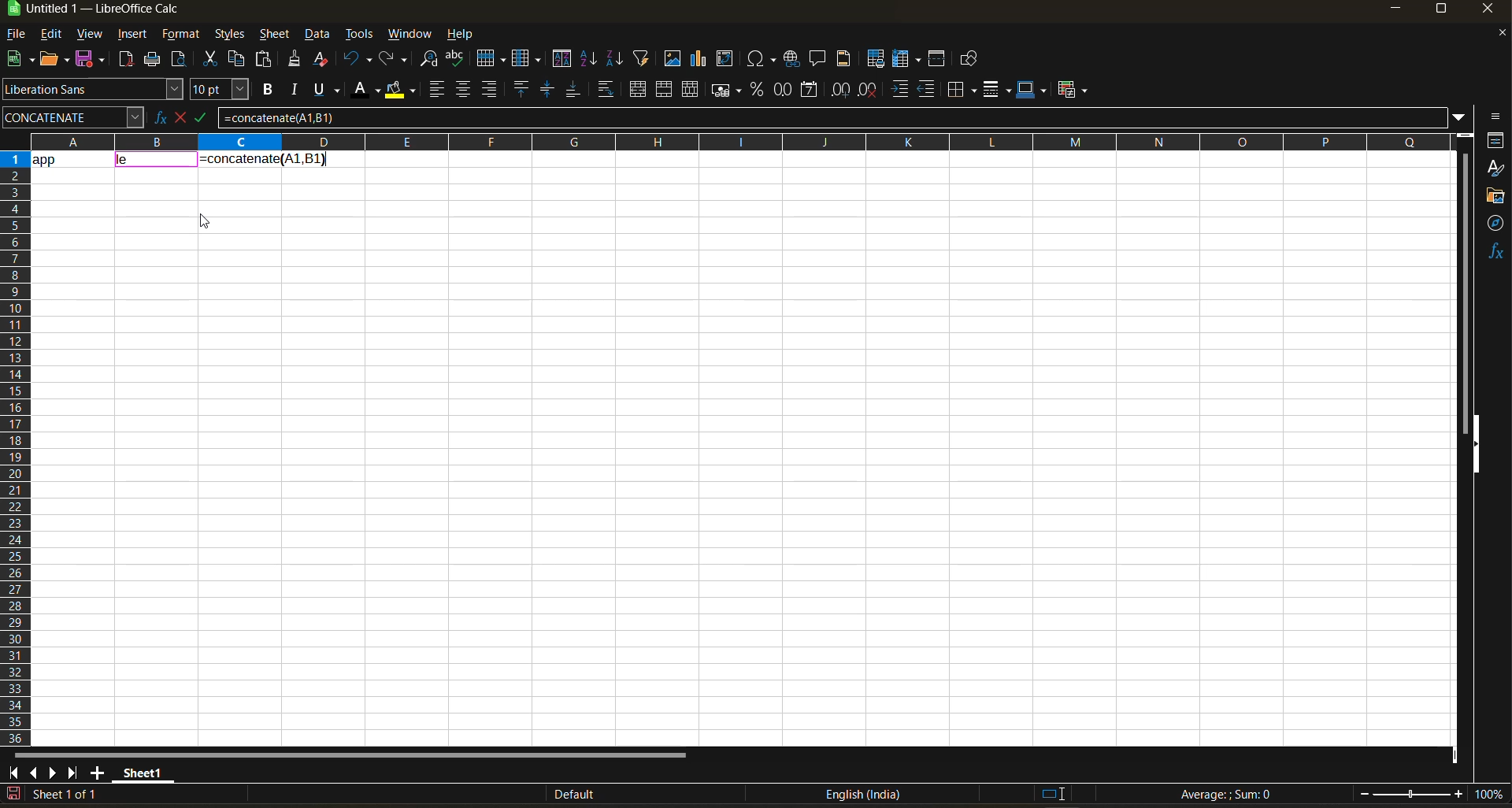  What do you see at coordinates (1032, 89) in the screenshot?
I see `border color` at bounding box center [1032, 89].